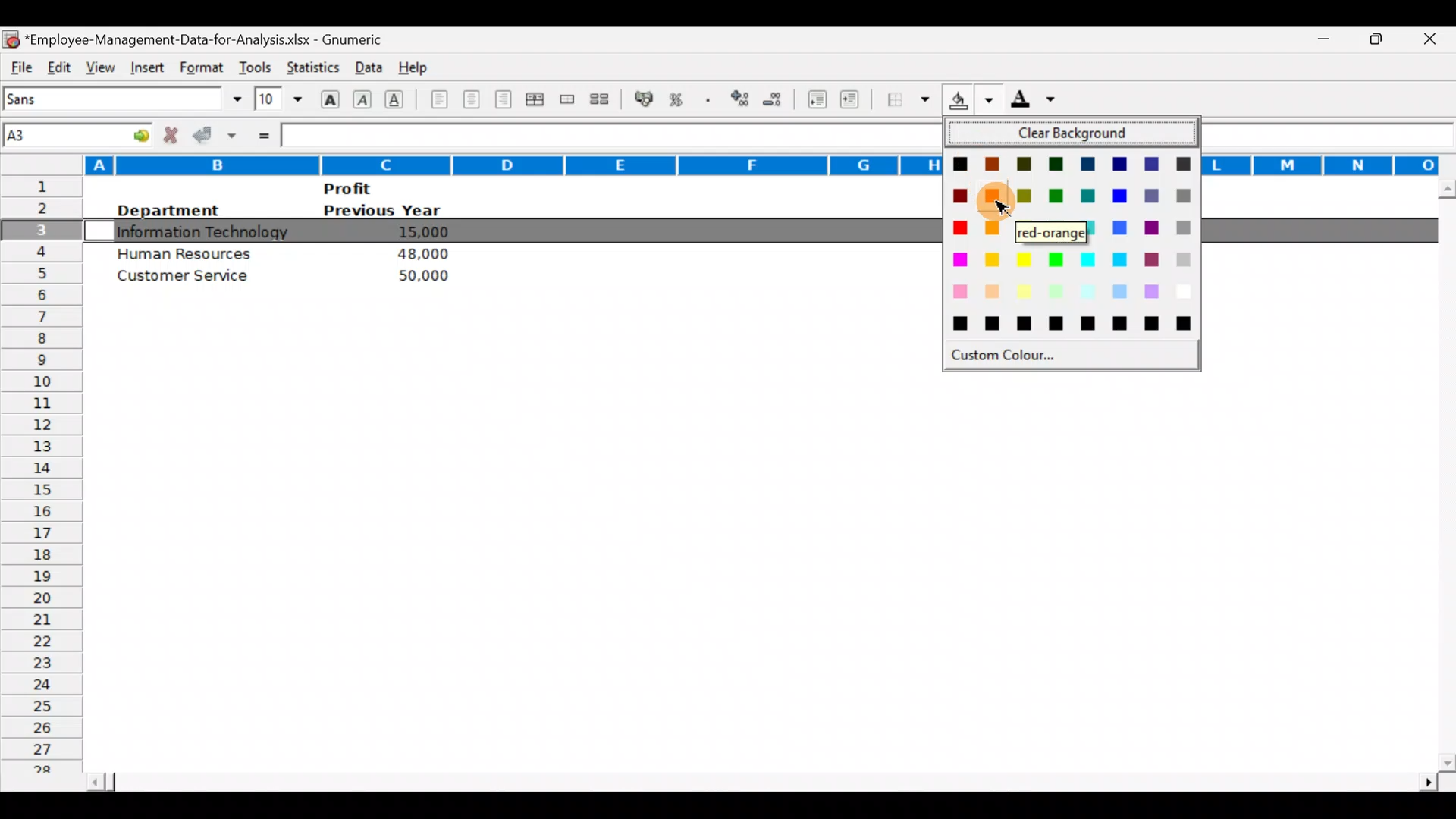 This screenshot has width=1456, height=819. I want to click on Format selection as accounting, so click(645, 97).